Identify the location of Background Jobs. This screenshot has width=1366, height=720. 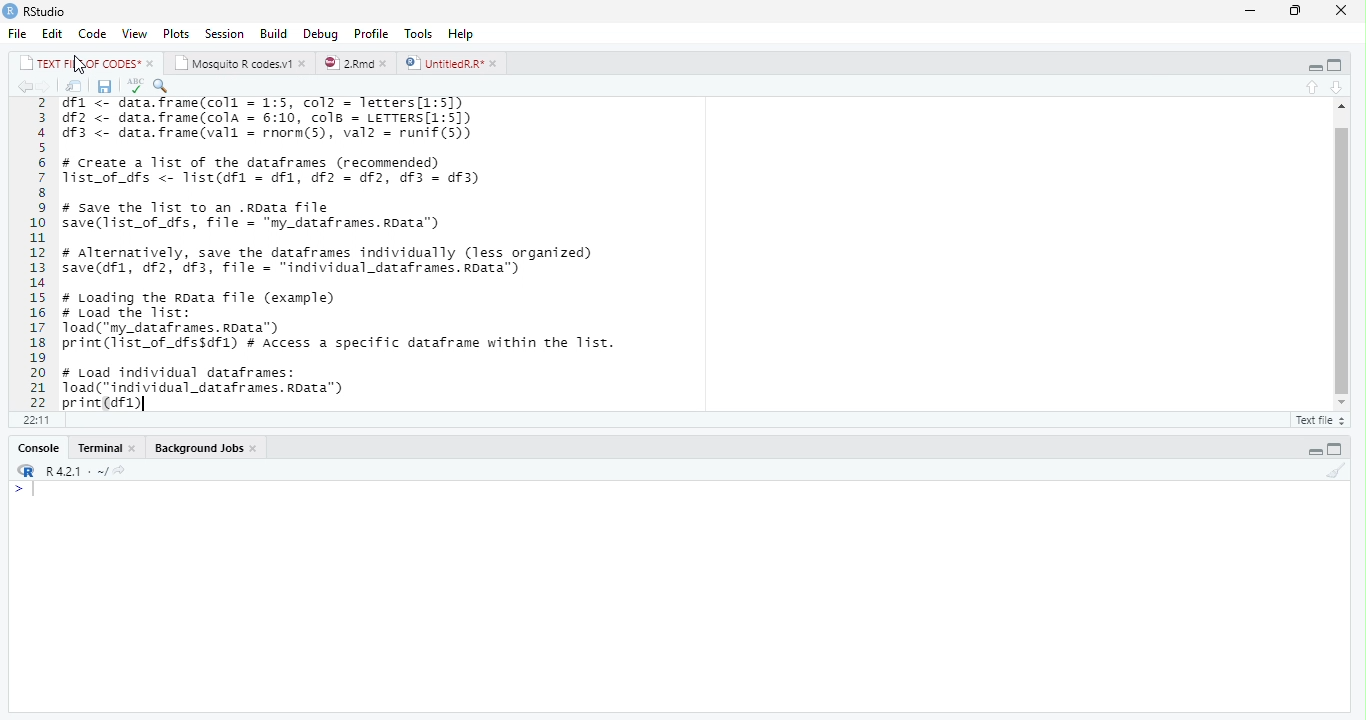
(202, 448).